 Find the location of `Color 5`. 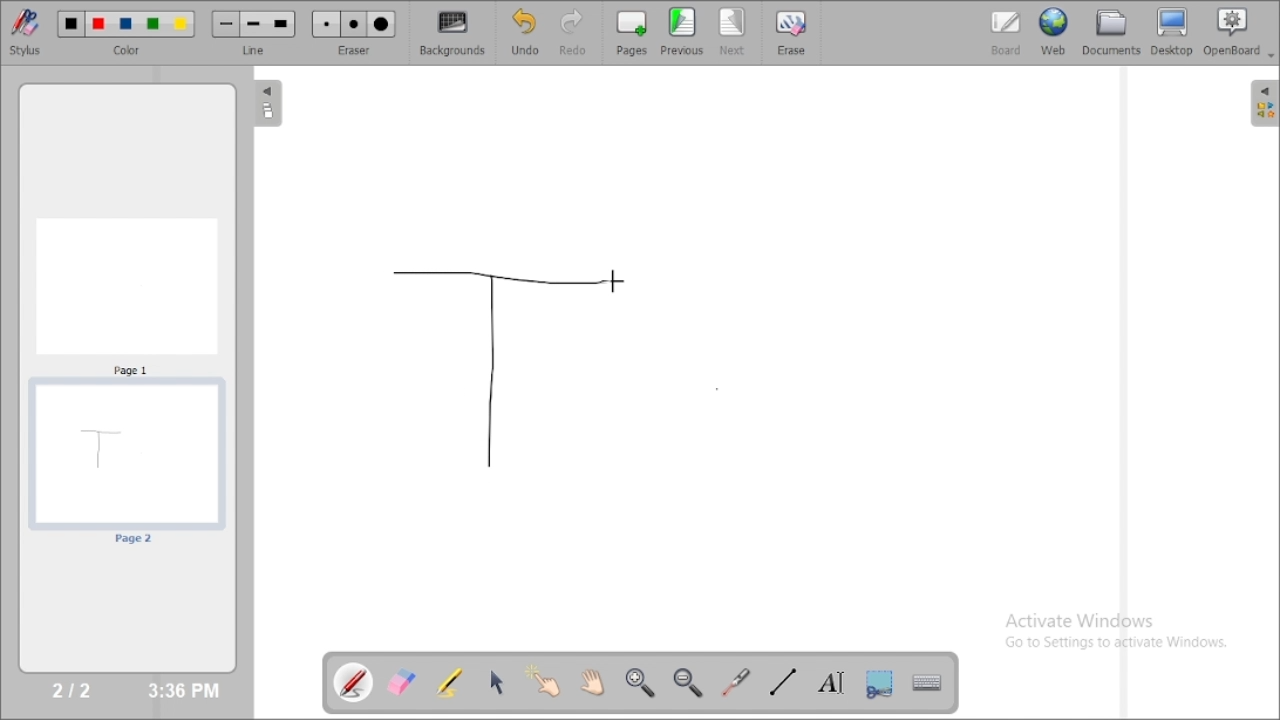

Color 5 is located at coordinates (181, 24).